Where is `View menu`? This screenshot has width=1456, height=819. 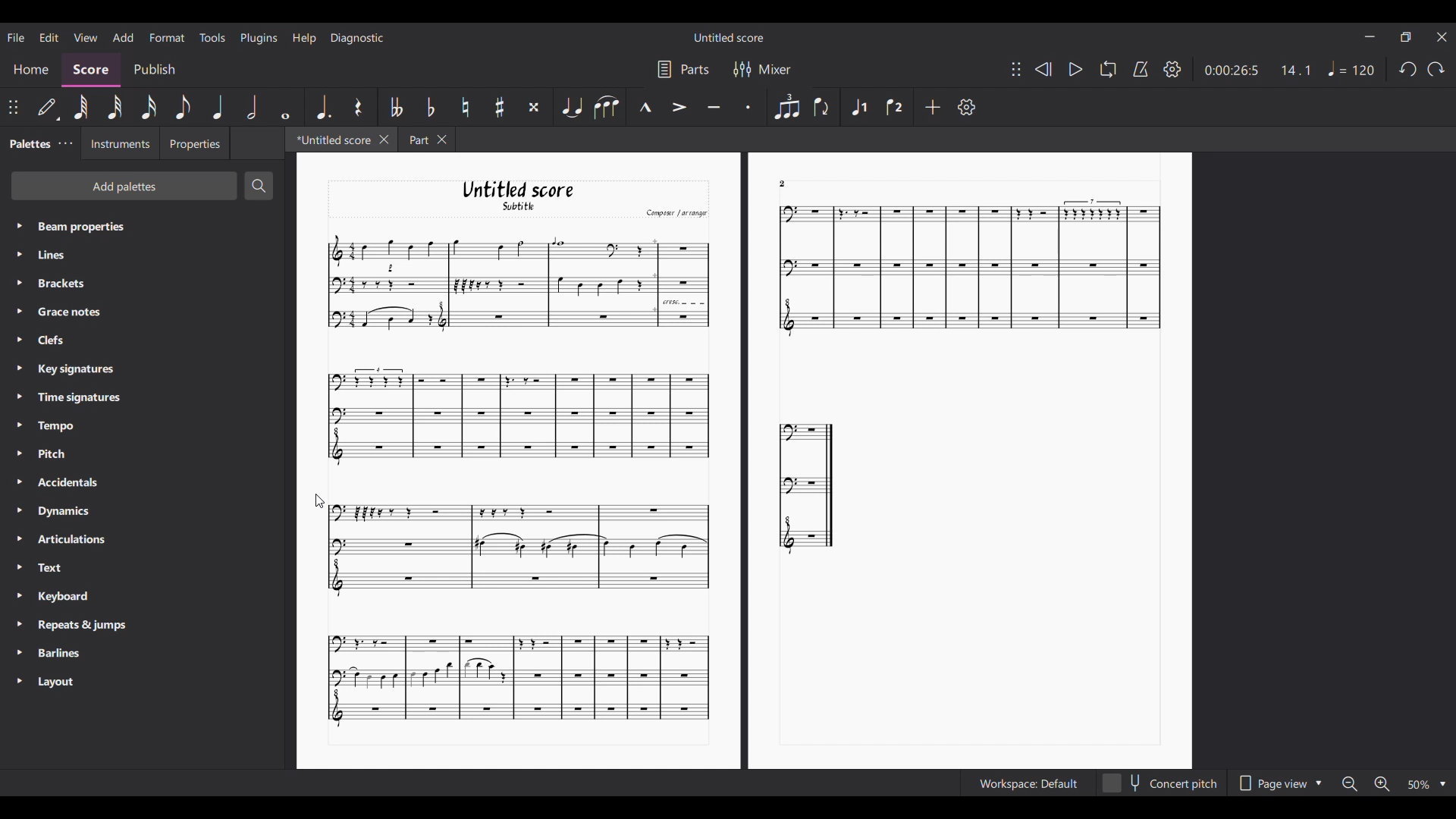 View menu is located at coordinates (86, 36).